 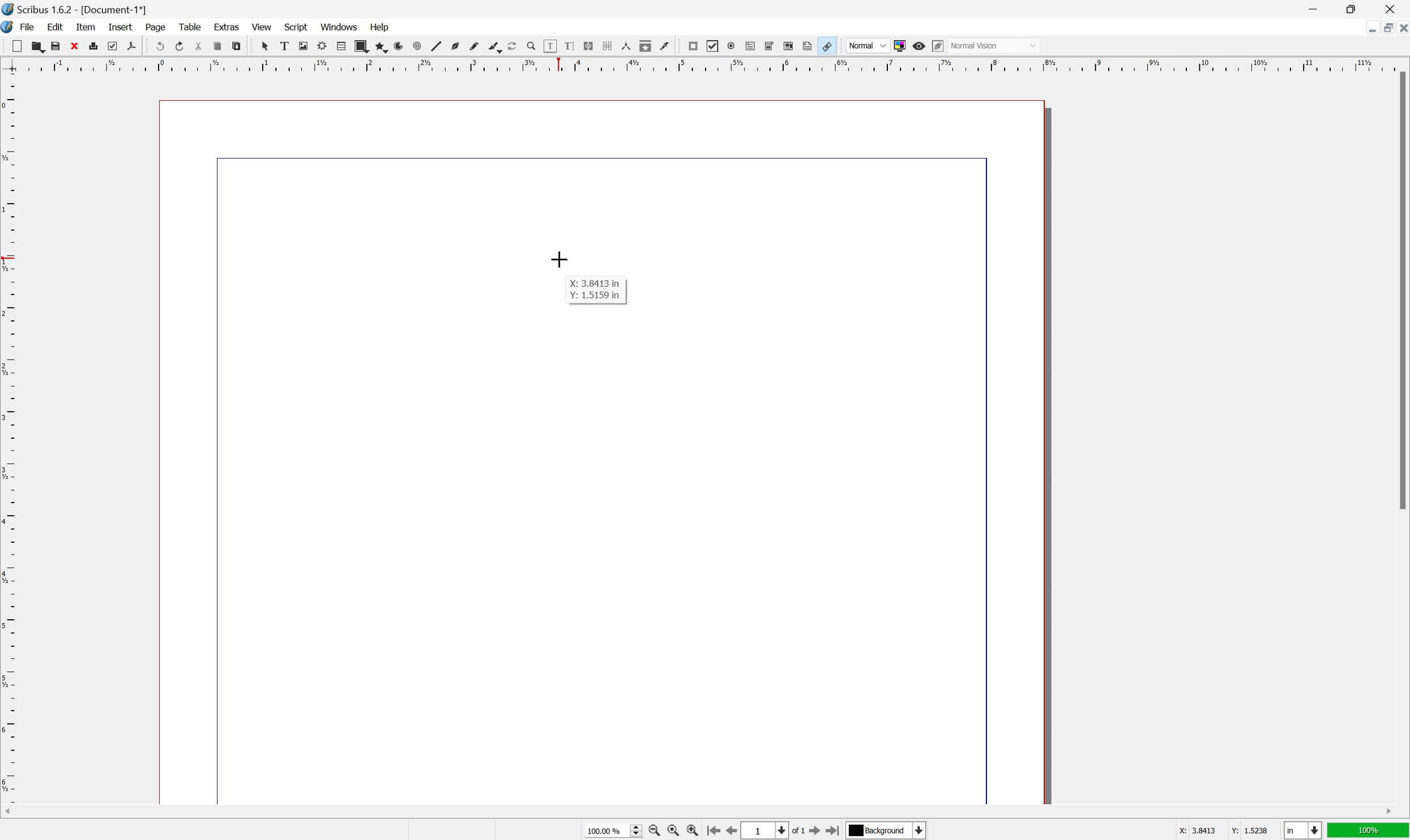 What do you see at coordinates (613, 830) in the screenshot?
I see `select current zoom level` at bounding box center [613, 830].